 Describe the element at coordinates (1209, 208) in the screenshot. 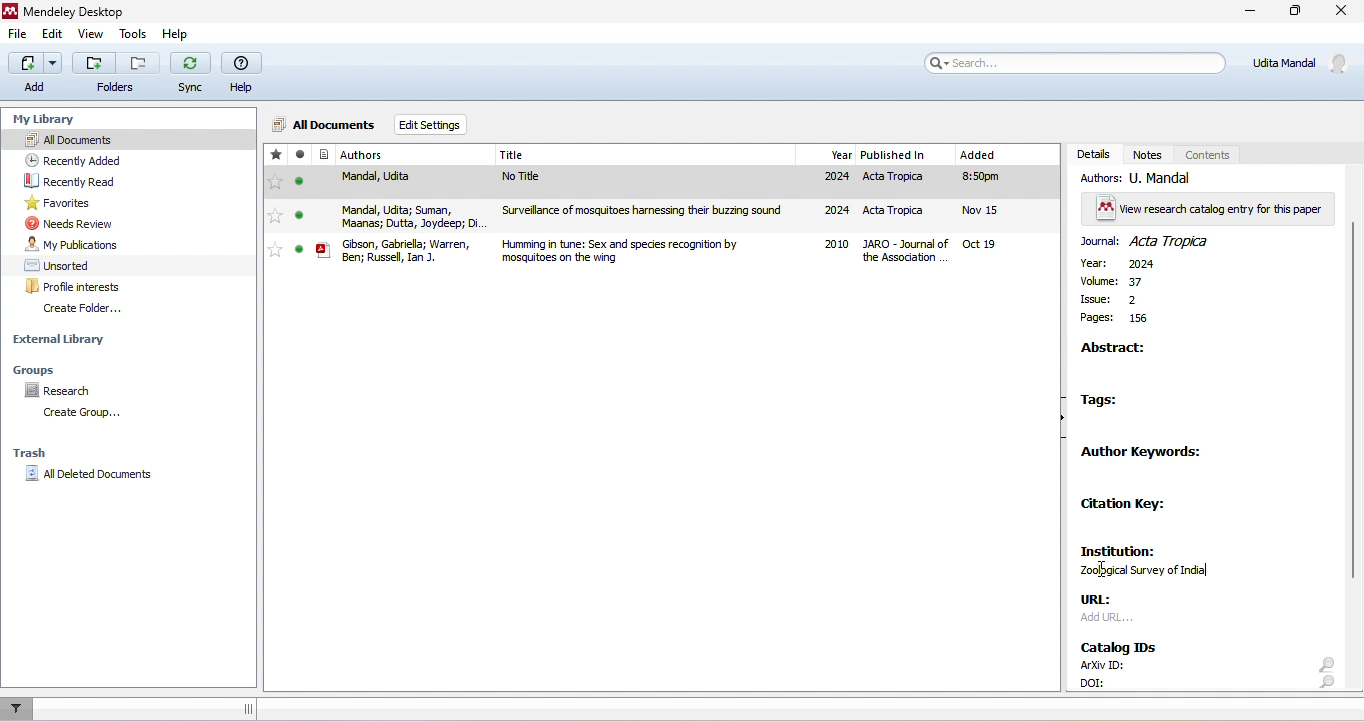

I see `view research catalog` at that location.